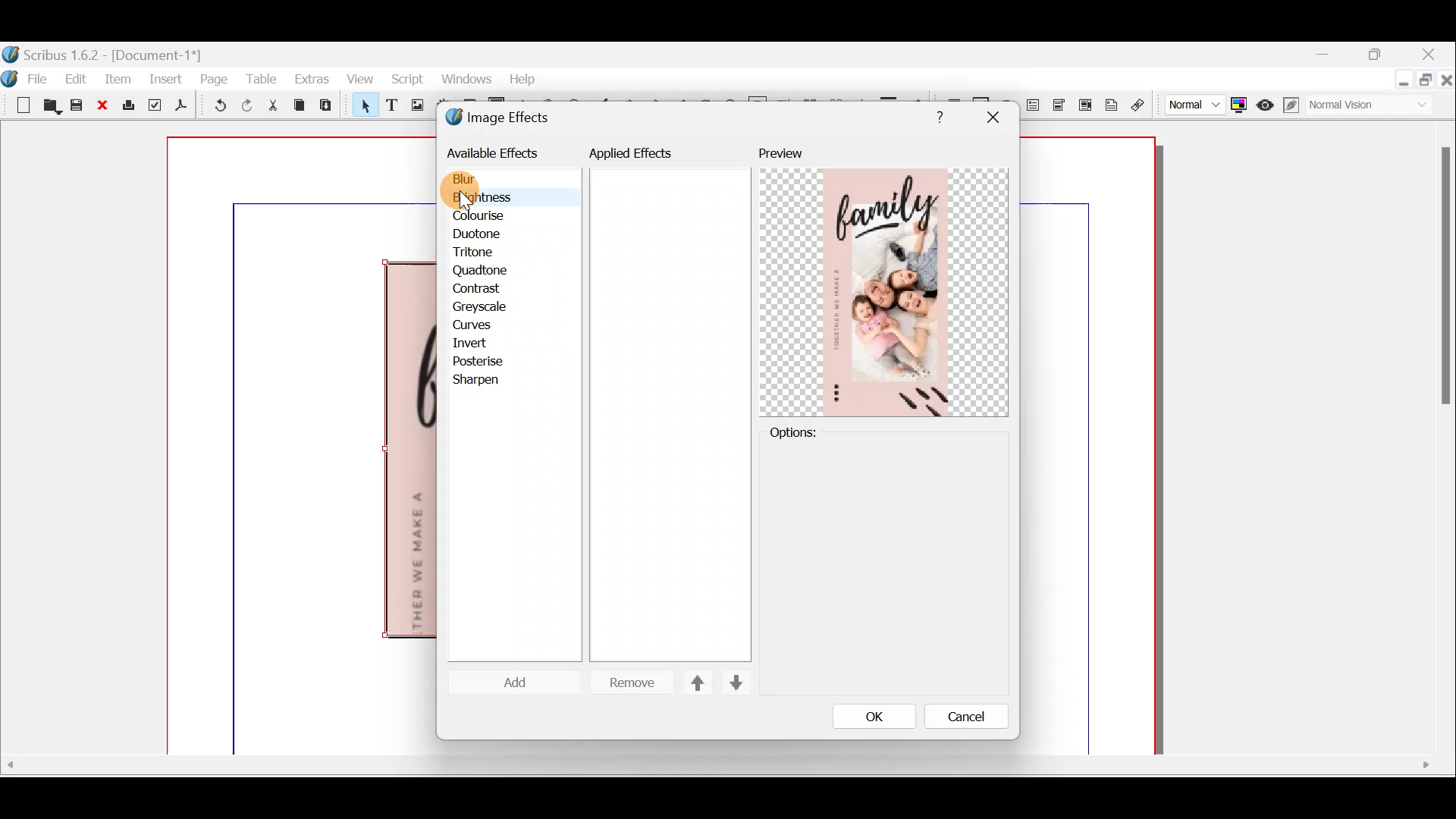 Image resolution: width=1456 pixels, height=819 pixels. What do you see at coordinates (936, 115) in the screenshot?
I see `` at bounding box center [936, 115].